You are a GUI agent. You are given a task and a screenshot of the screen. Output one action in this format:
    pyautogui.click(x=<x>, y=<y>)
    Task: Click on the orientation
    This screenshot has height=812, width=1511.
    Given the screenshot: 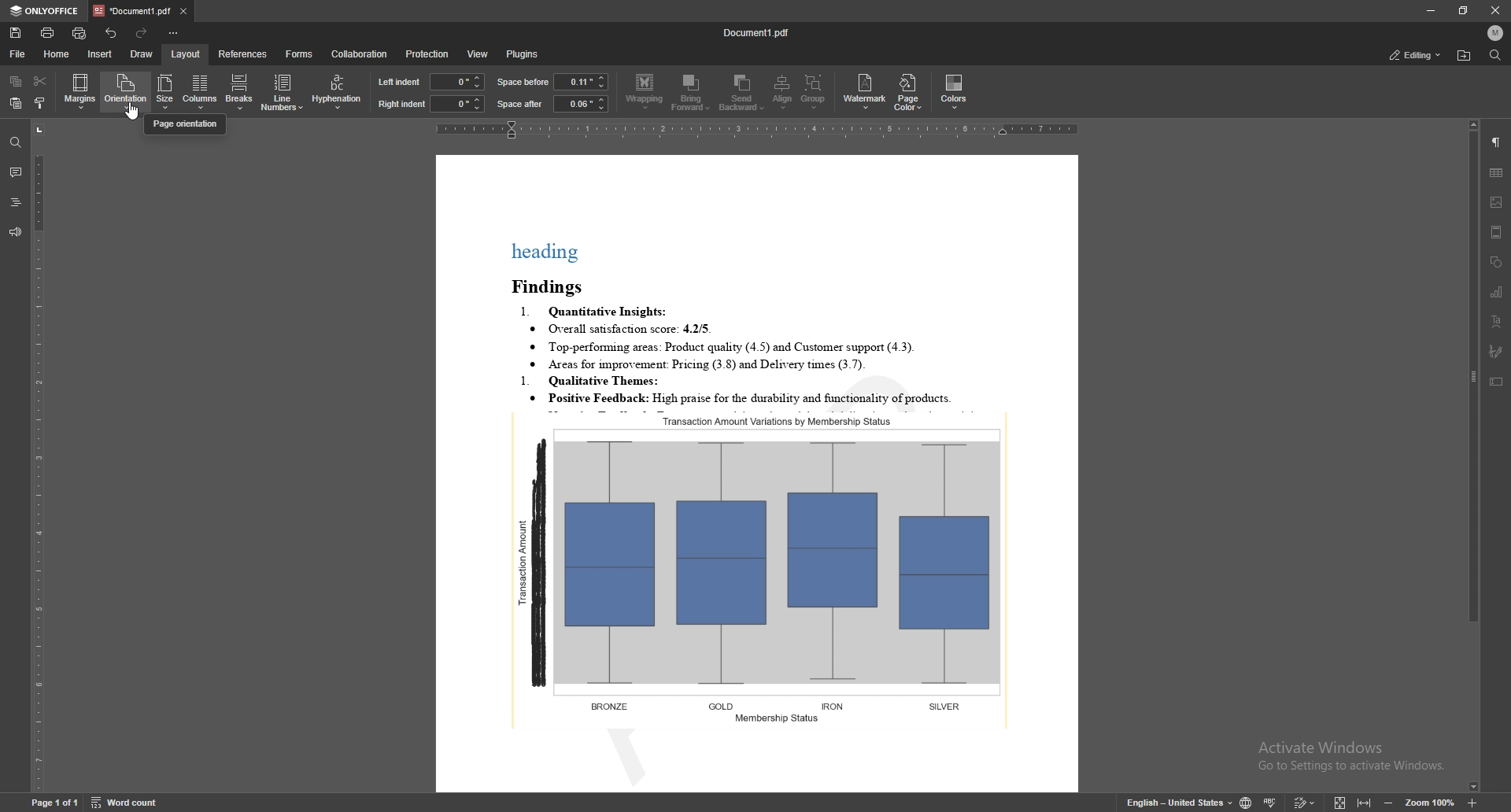 What is the action you would take?
    pyautogui.click(x=125, y=90)
    